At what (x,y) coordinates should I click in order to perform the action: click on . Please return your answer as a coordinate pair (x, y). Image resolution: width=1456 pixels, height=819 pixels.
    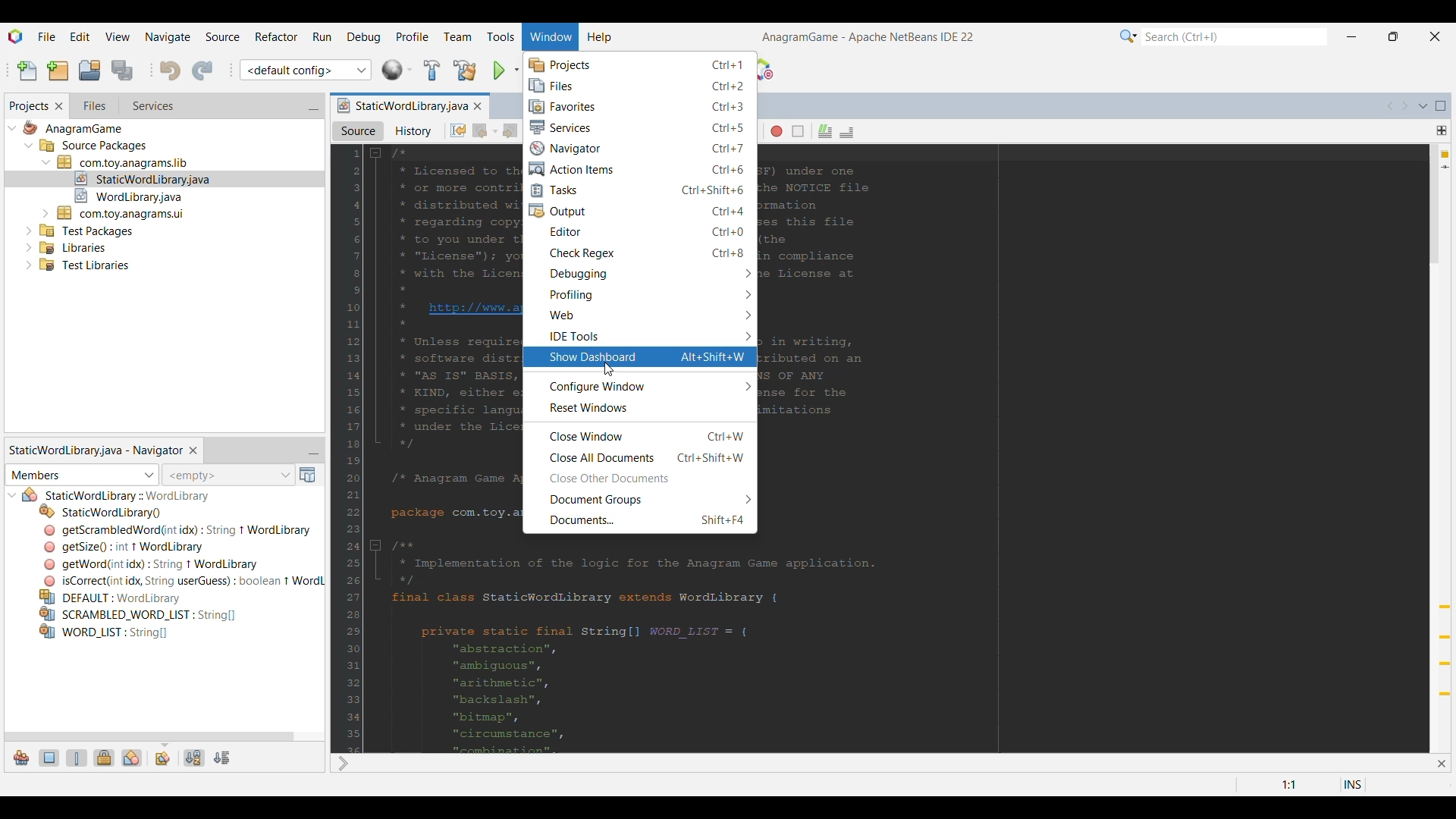
    Looking at the image, I should click on (104, 634).